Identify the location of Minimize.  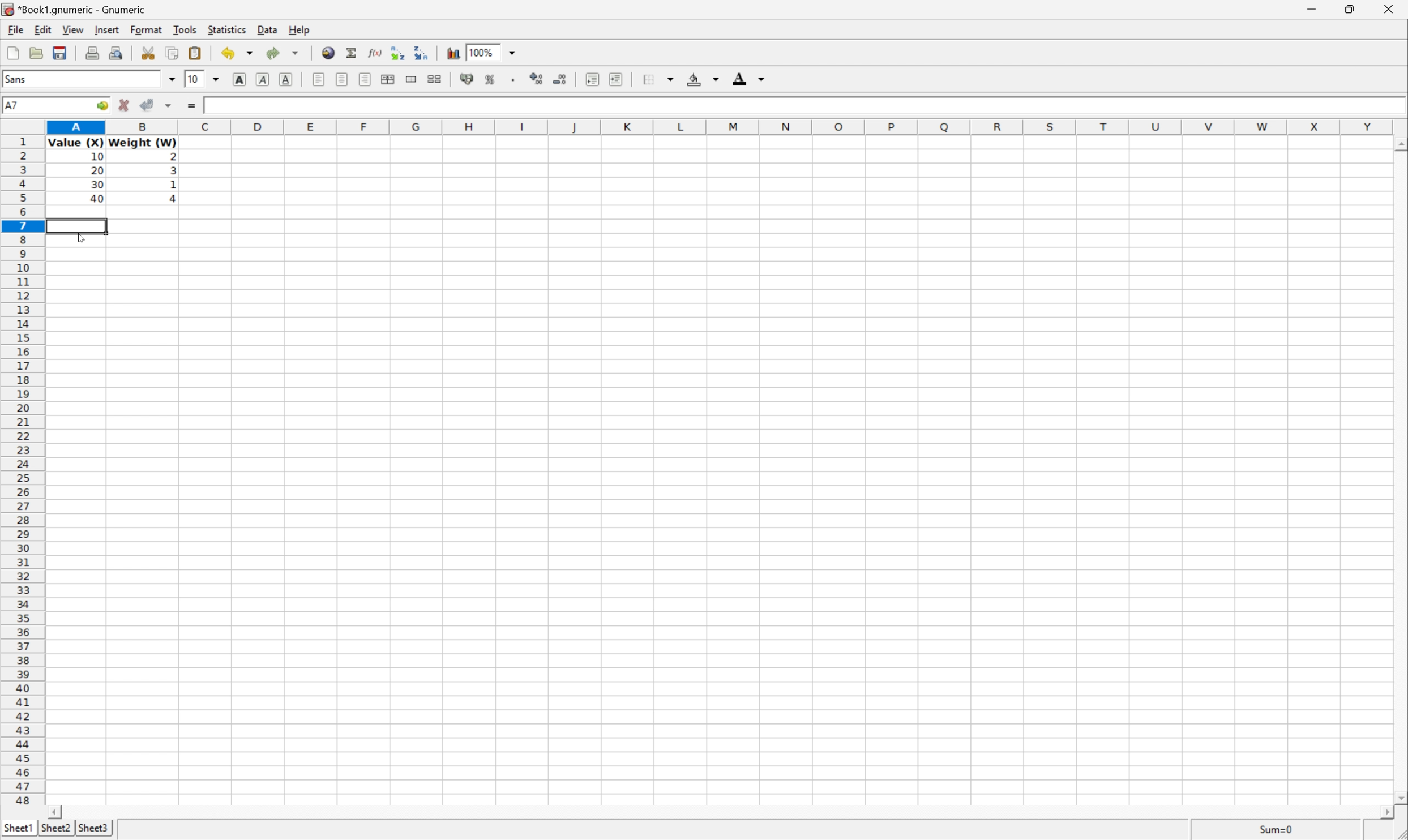
(1311, 8).